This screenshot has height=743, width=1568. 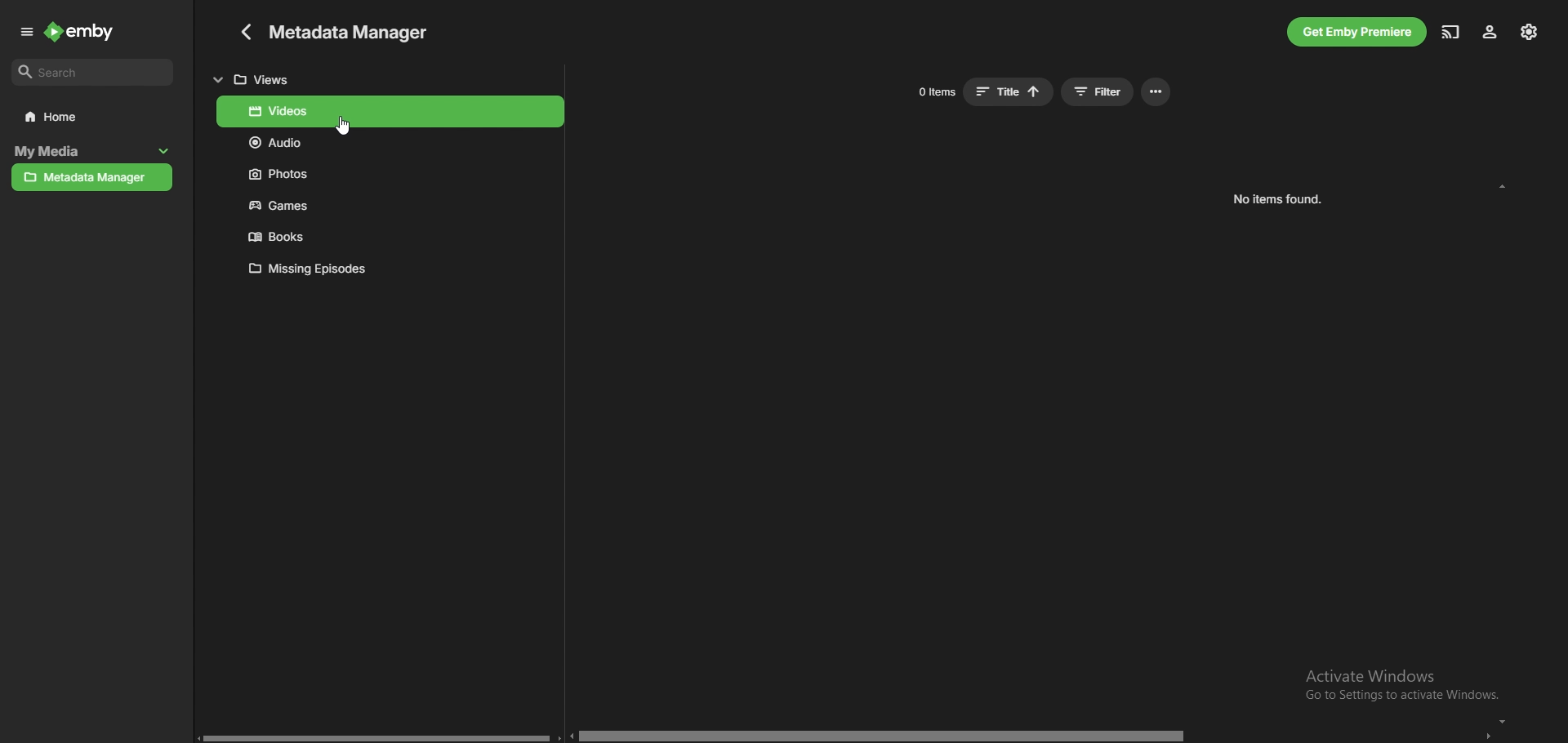 What do you see at coordinates (386, 143) in the screenshot?
I see `audio` at bounding box center [386, 143].